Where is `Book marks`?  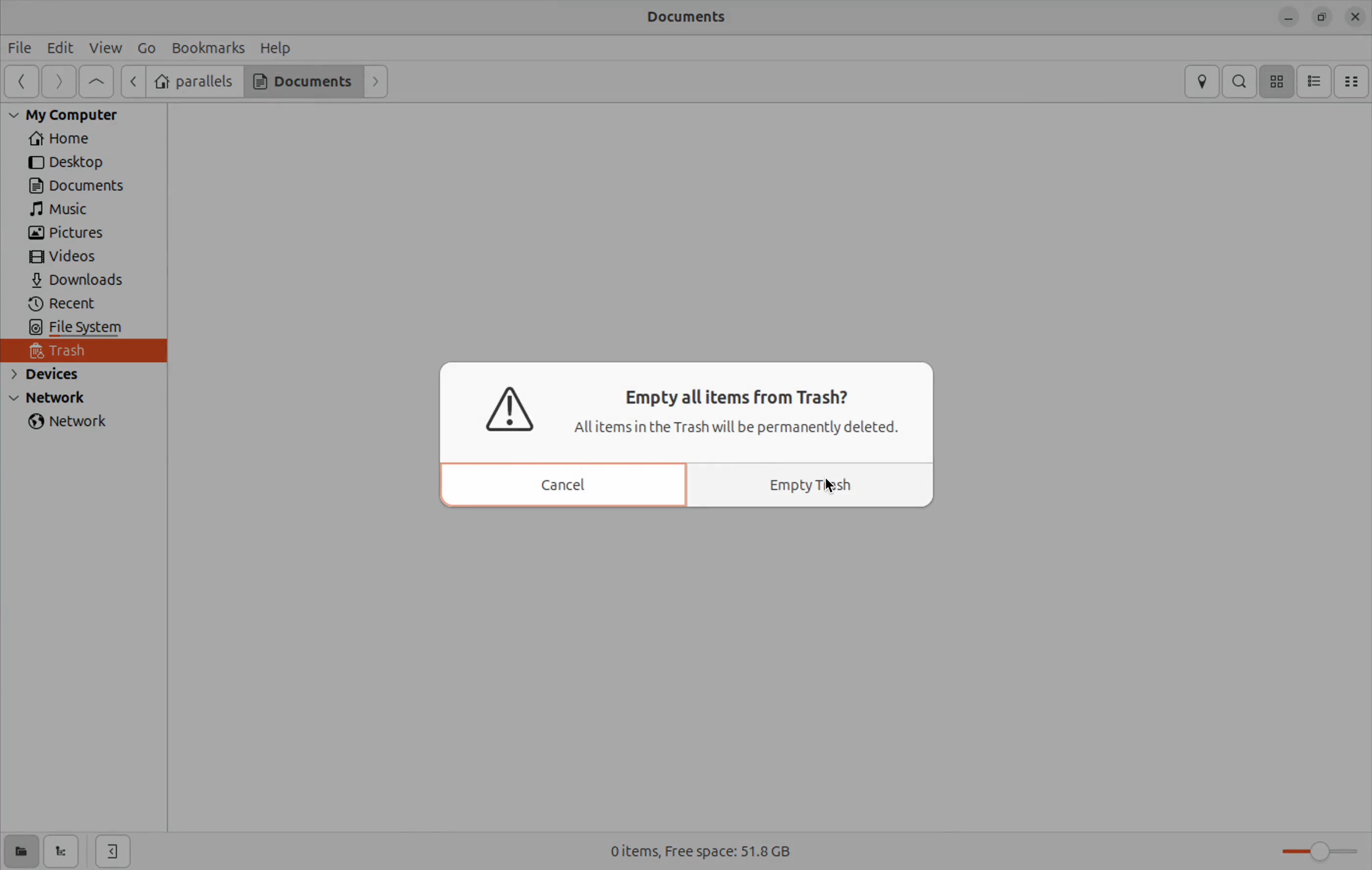
Book marks is located at coordinates (208, 46).